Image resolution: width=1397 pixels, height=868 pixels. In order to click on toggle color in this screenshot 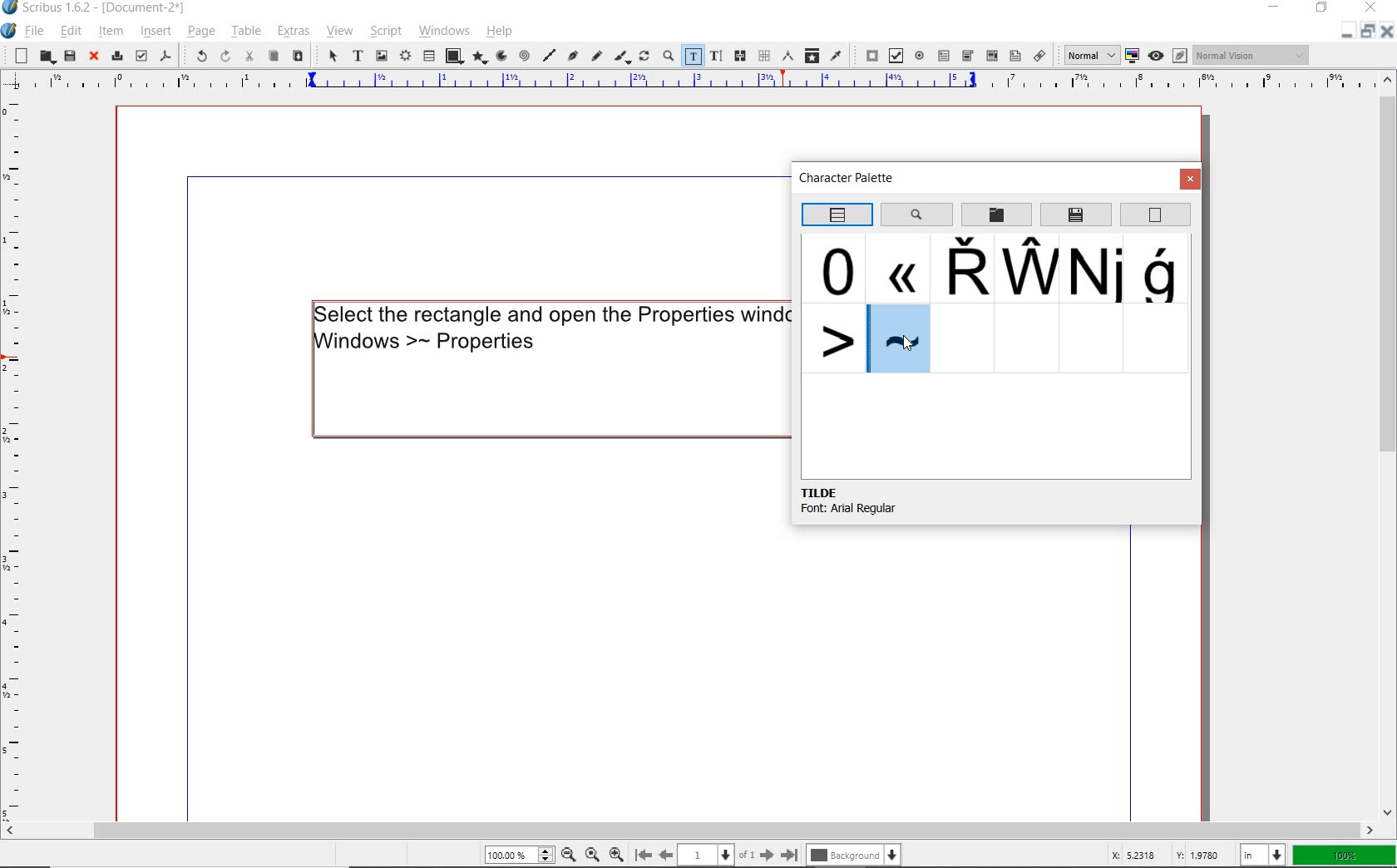, I will do `click(1131, 56)`.